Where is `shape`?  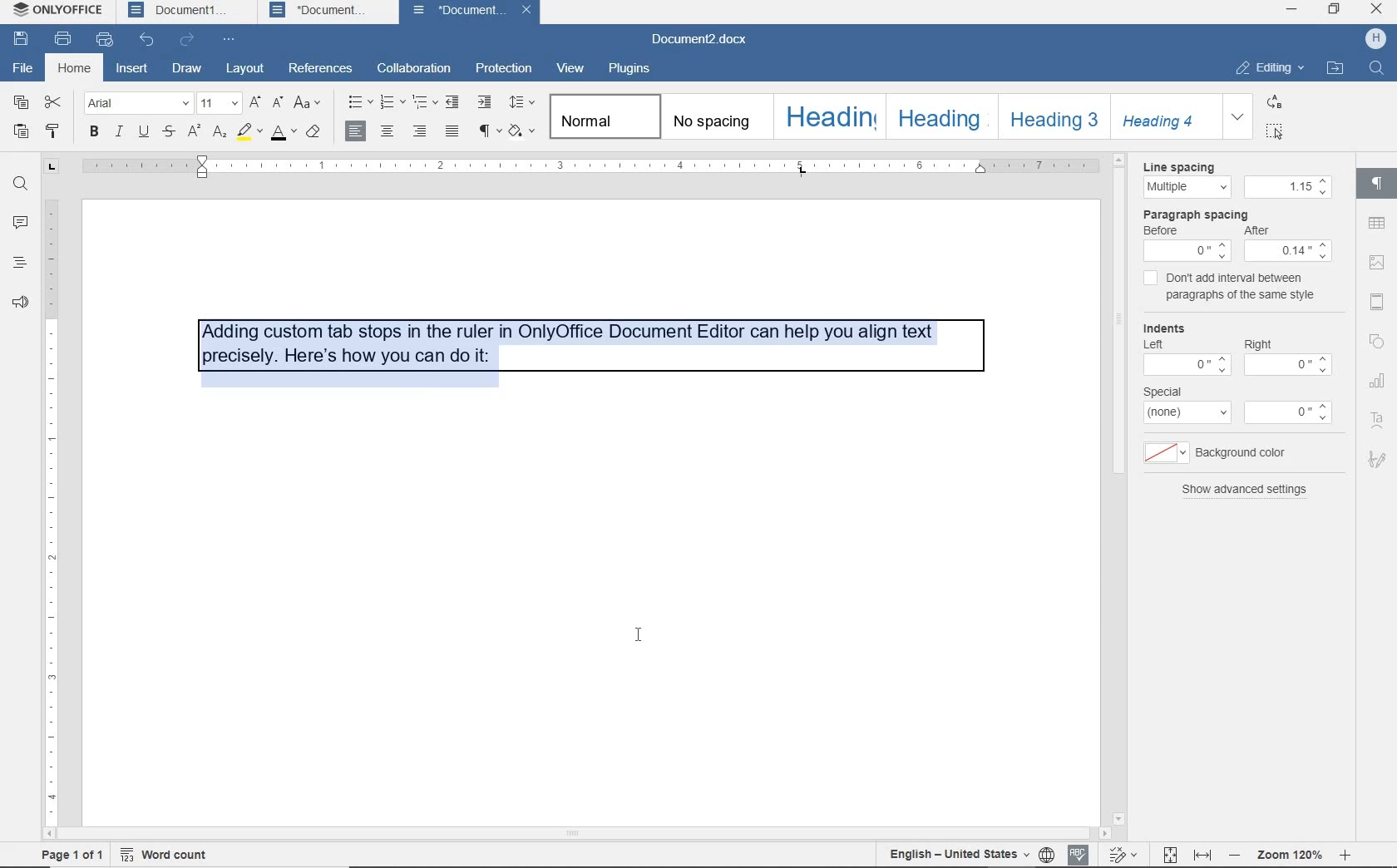 shape is located at coordinates (1380, 340).